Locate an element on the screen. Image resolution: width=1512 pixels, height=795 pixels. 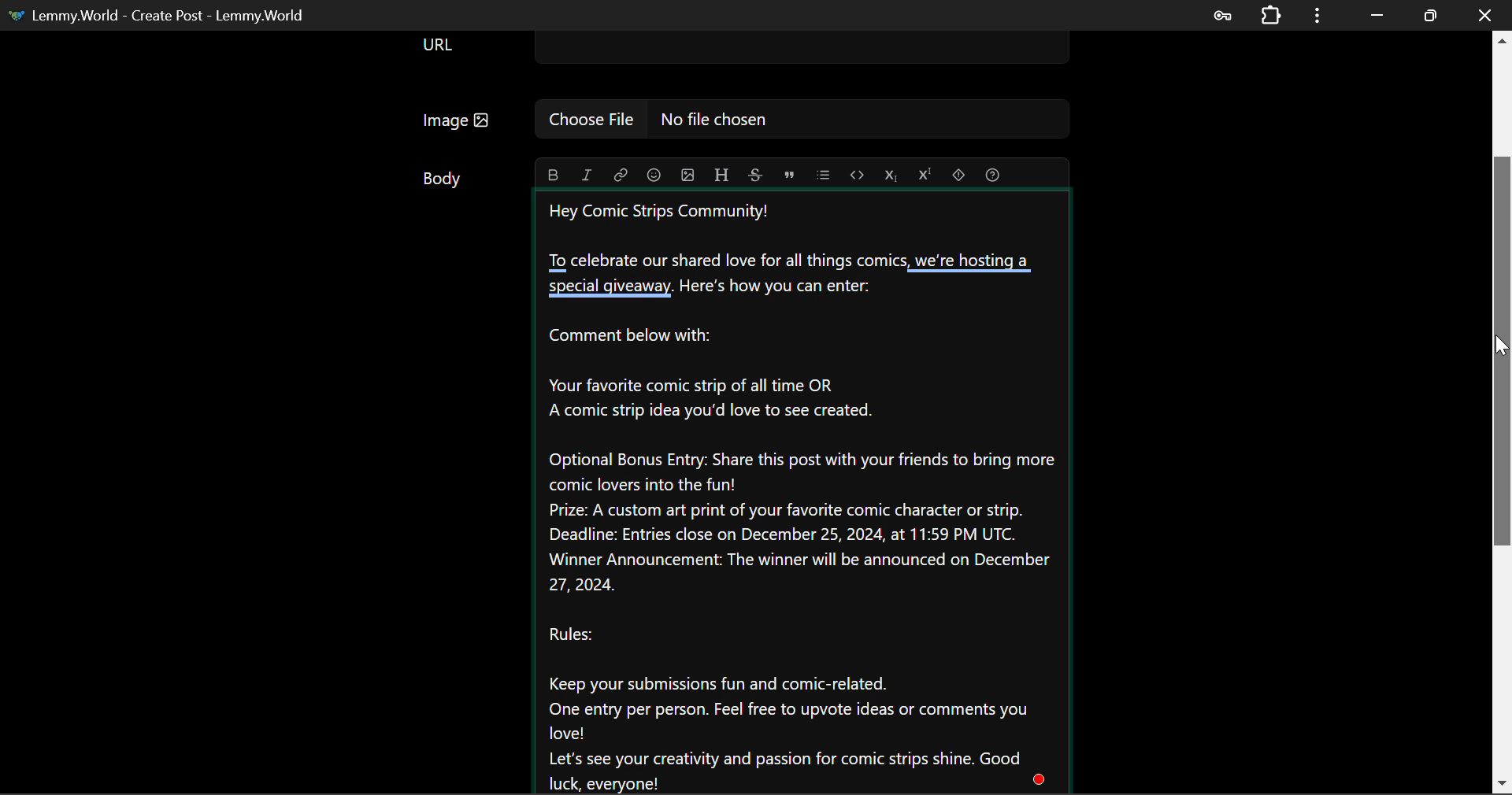
upload image is located at coordinates (687, 174).